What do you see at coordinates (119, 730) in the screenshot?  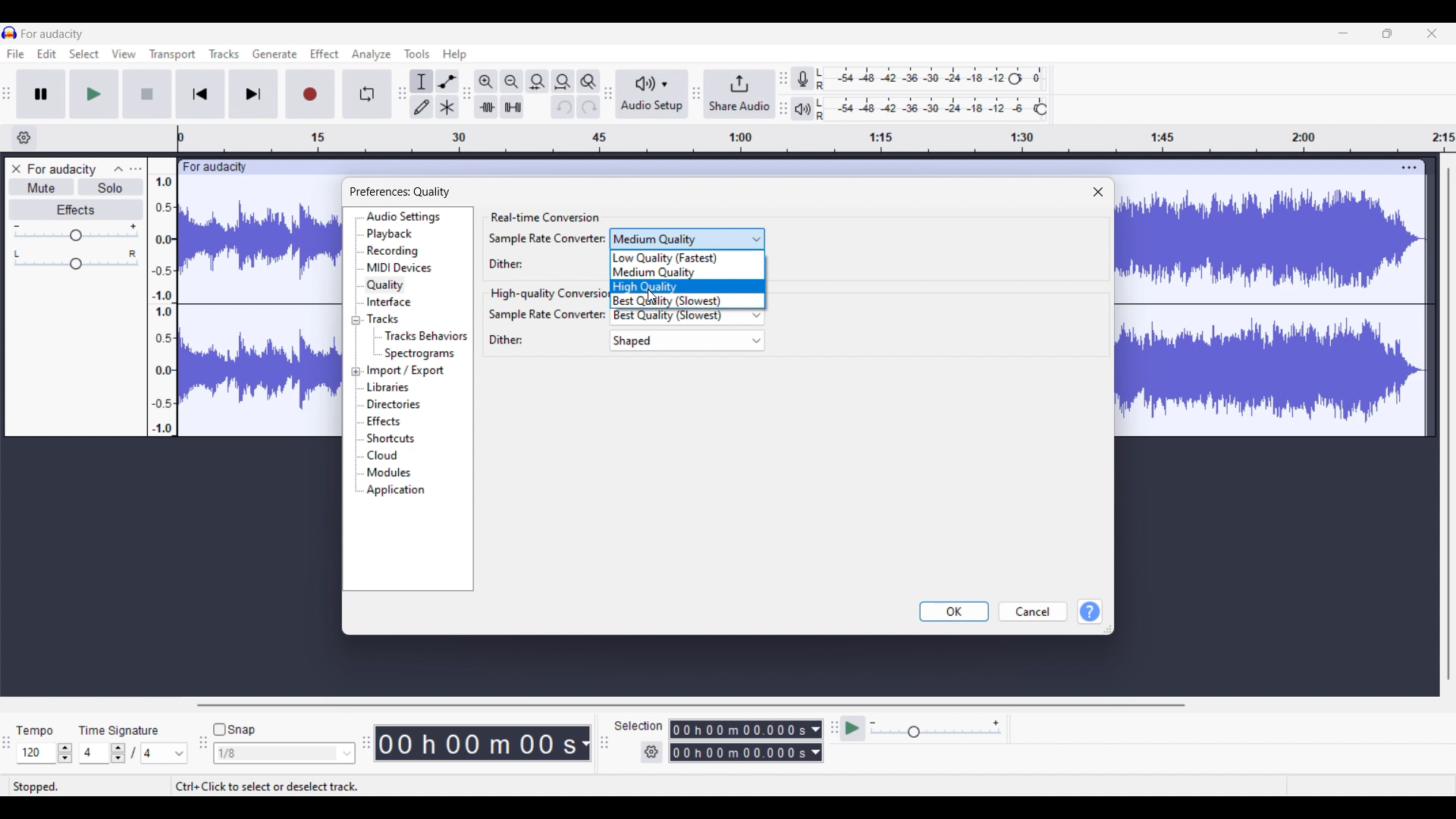 I see `Indicates time signature settings` at bounding box center [119, 730].